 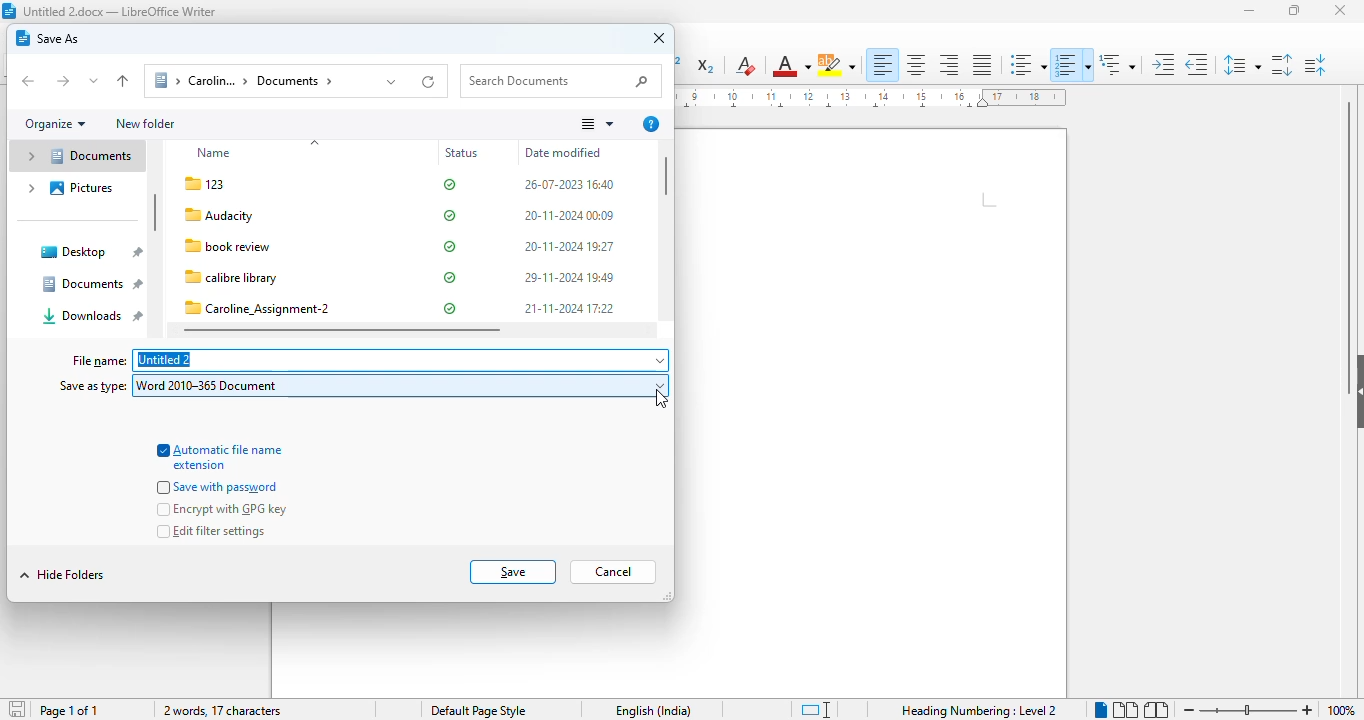 What do you see at coordinates (1125, 709) in the screenshot?
I see `multi-page view` at bounding box center [1125, 709].